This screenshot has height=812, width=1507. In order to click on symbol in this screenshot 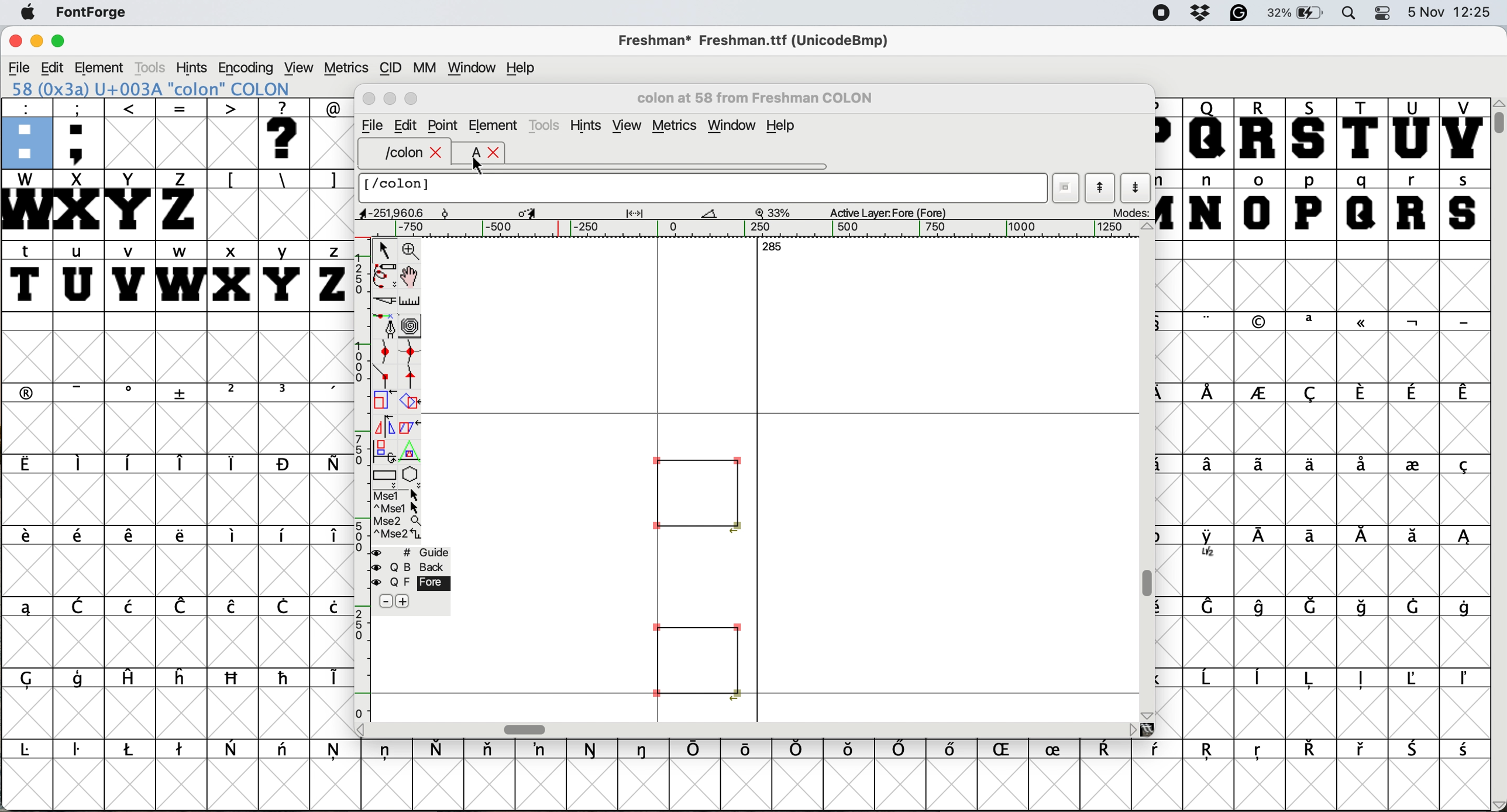, I will do `click(1110, 750)`.